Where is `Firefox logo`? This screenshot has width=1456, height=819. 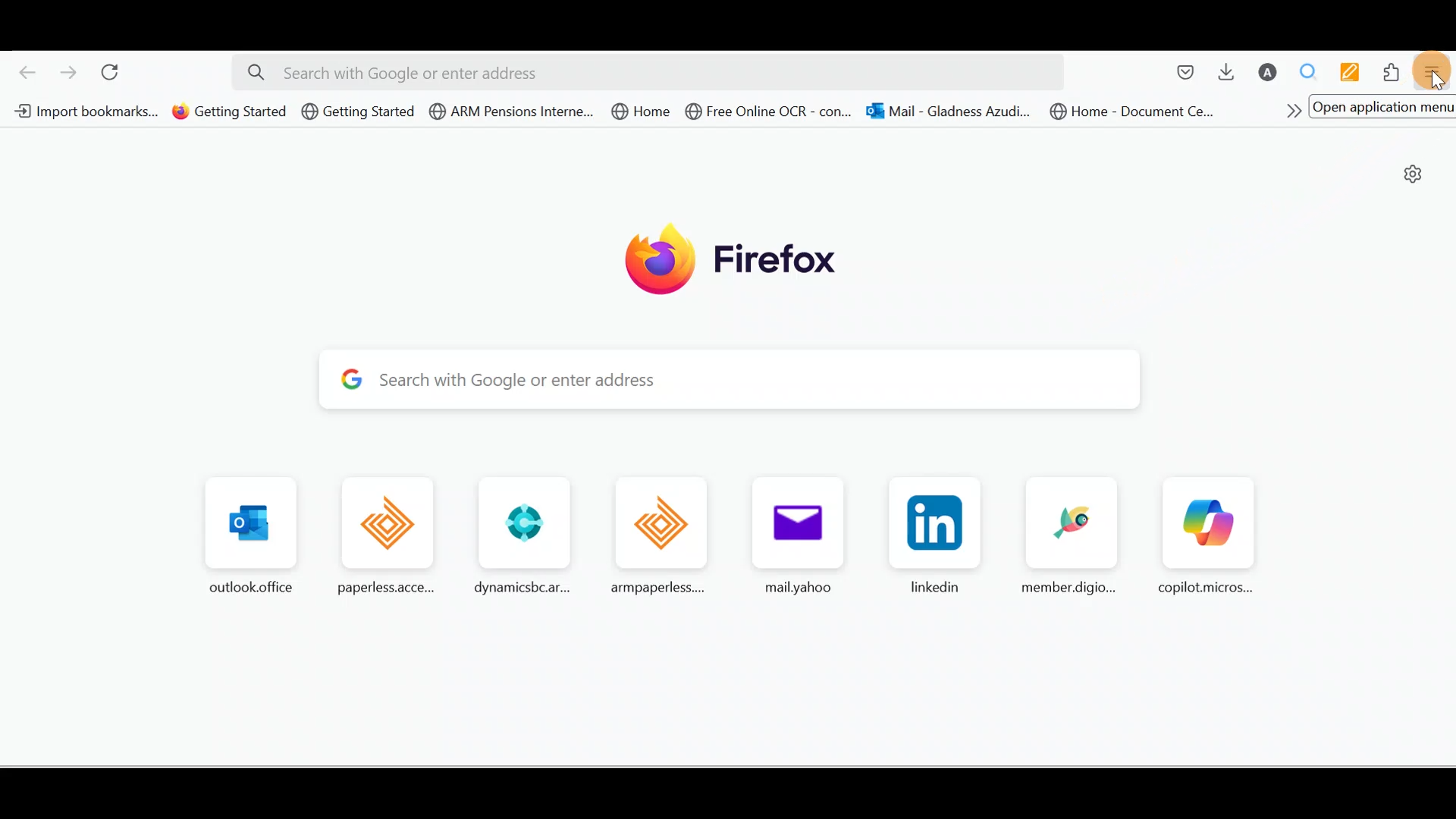
Firefox logo is located at coordinates (720, 260).